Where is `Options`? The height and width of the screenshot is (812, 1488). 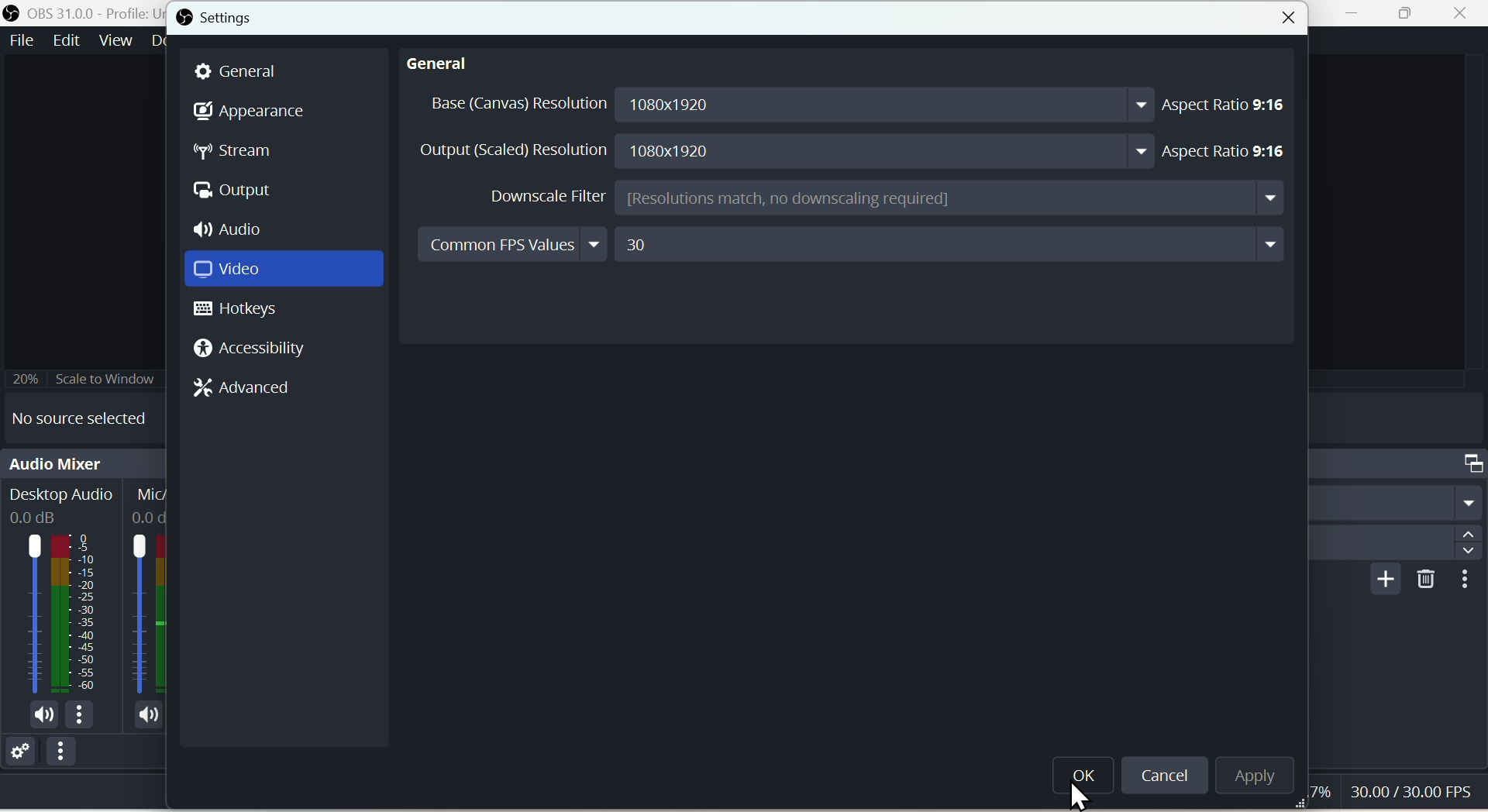 Options is located at coordinates (64, 755).